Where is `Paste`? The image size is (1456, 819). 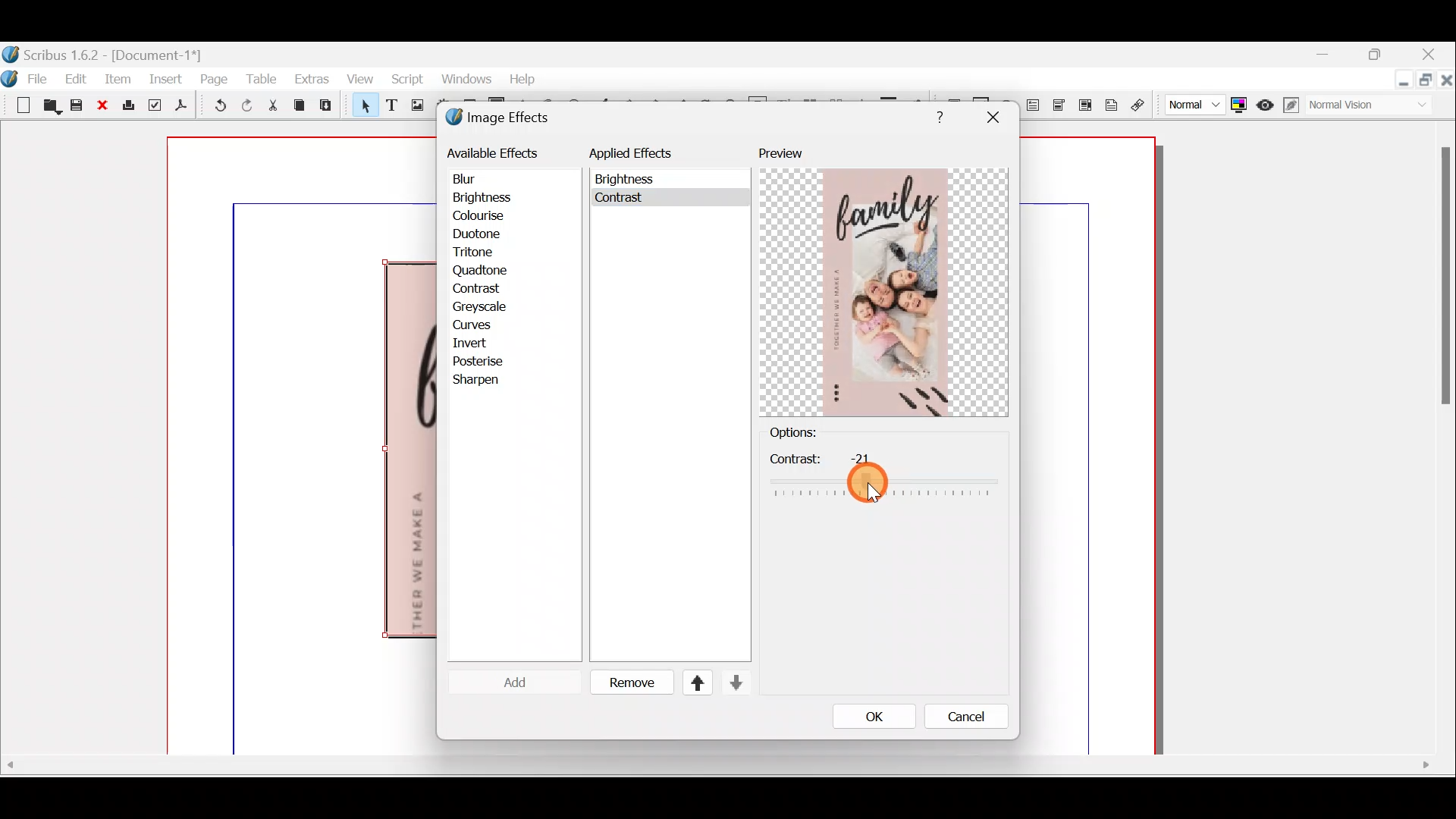 Paste is located at coordinates (329, 107).